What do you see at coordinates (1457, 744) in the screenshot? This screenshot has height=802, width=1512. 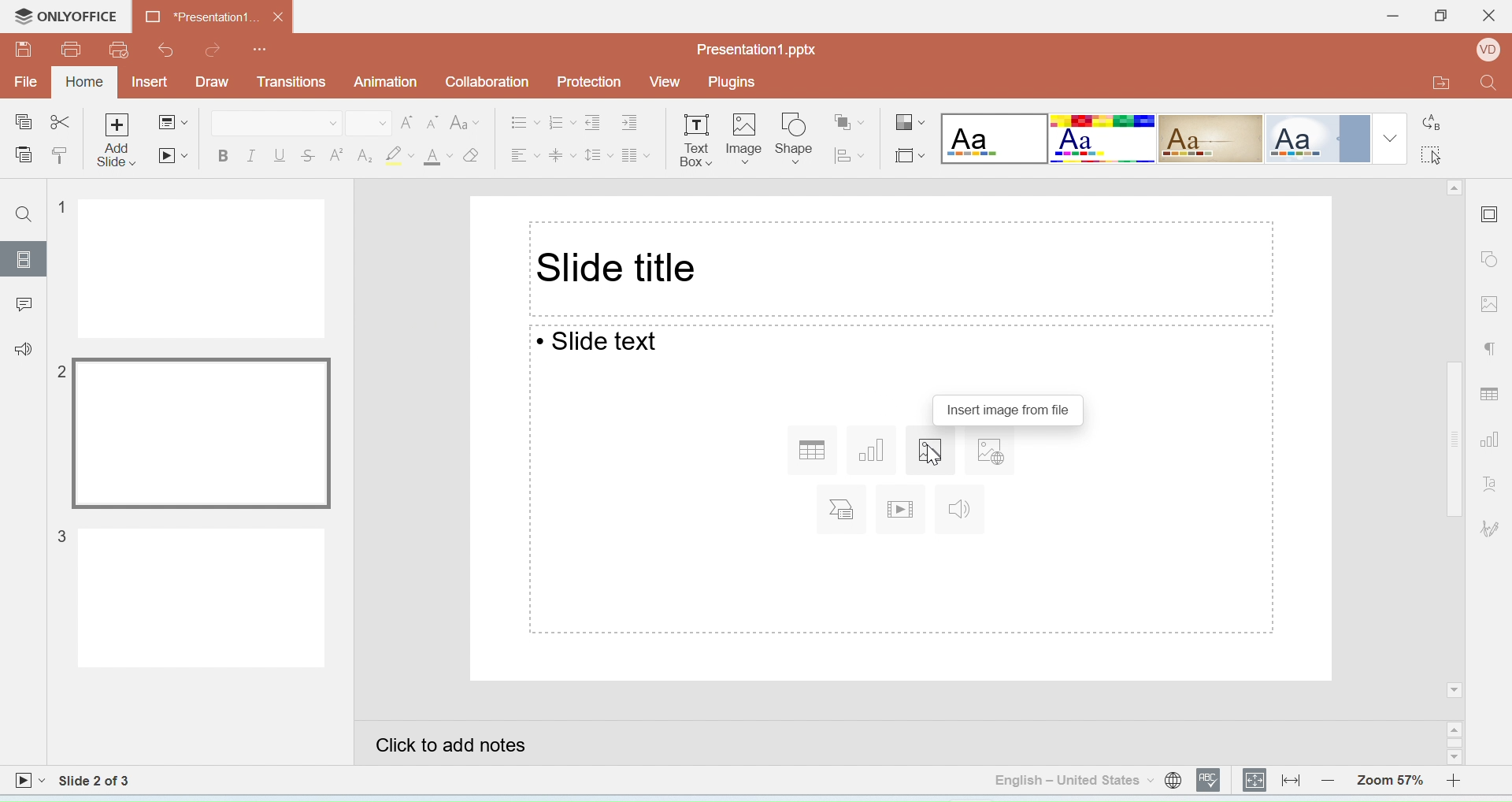 I see `Scroll bar` at bounding box center [1457, 744].